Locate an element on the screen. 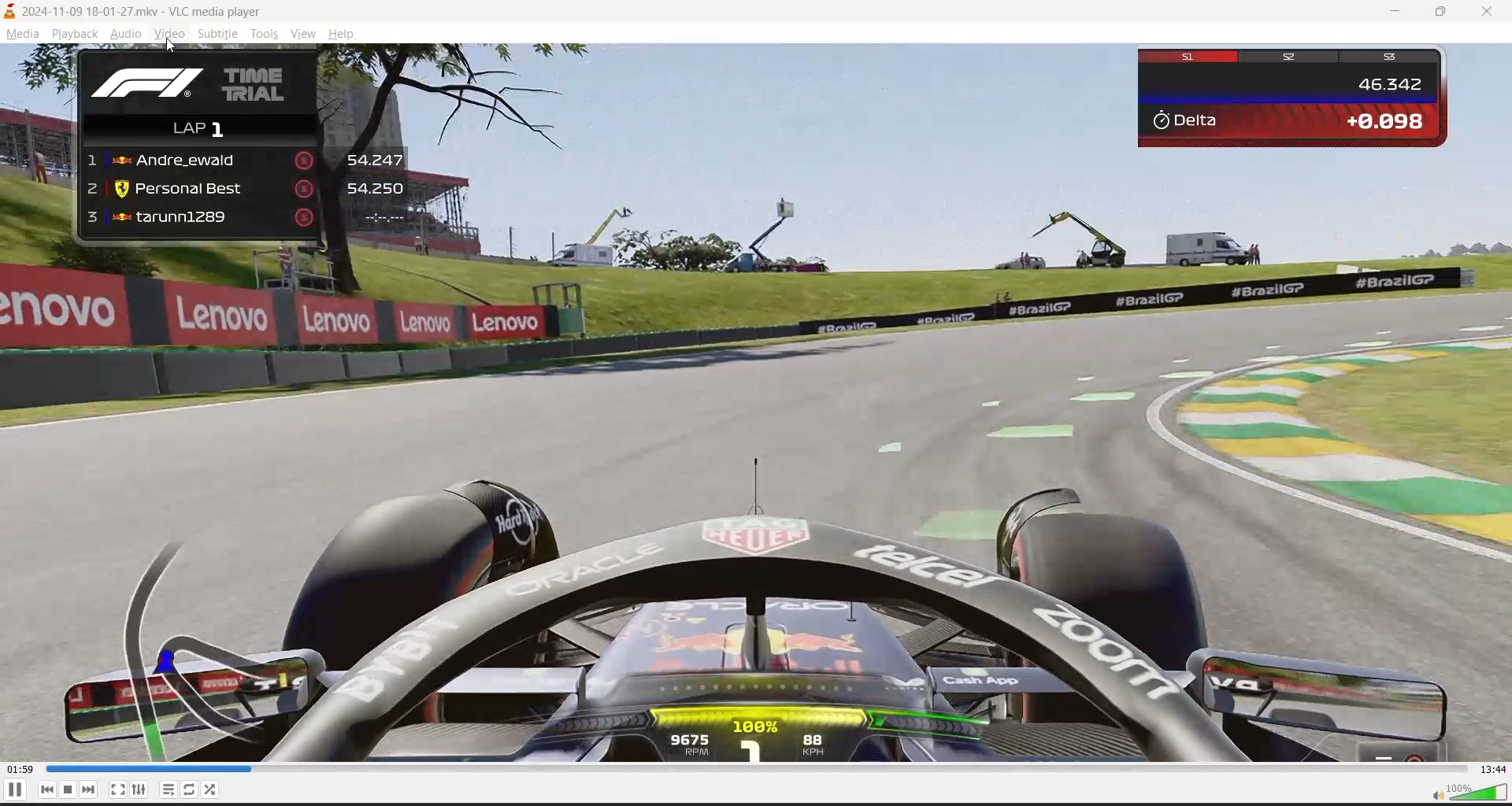 The height and width of the screenshot is (806, 1512). subtitle is located at coordinates (218, 35).